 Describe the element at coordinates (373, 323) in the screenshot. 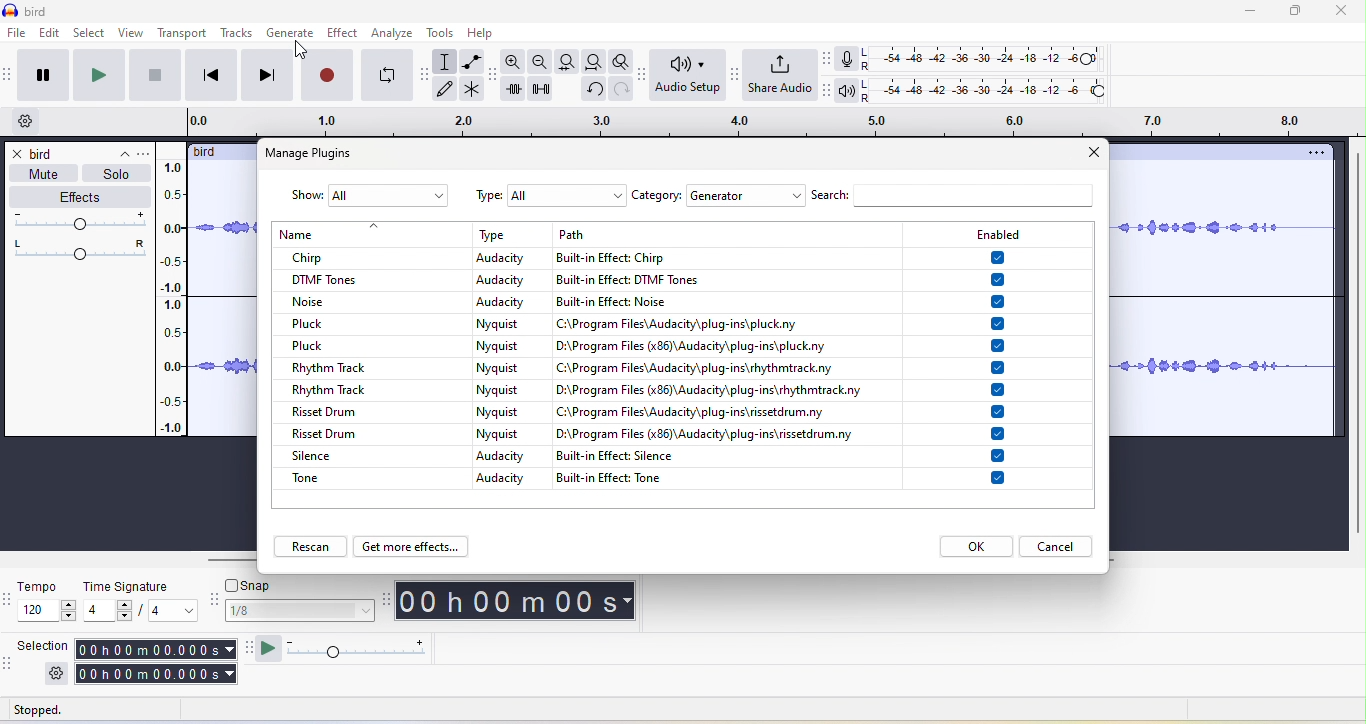

I see `pluck` at that location.